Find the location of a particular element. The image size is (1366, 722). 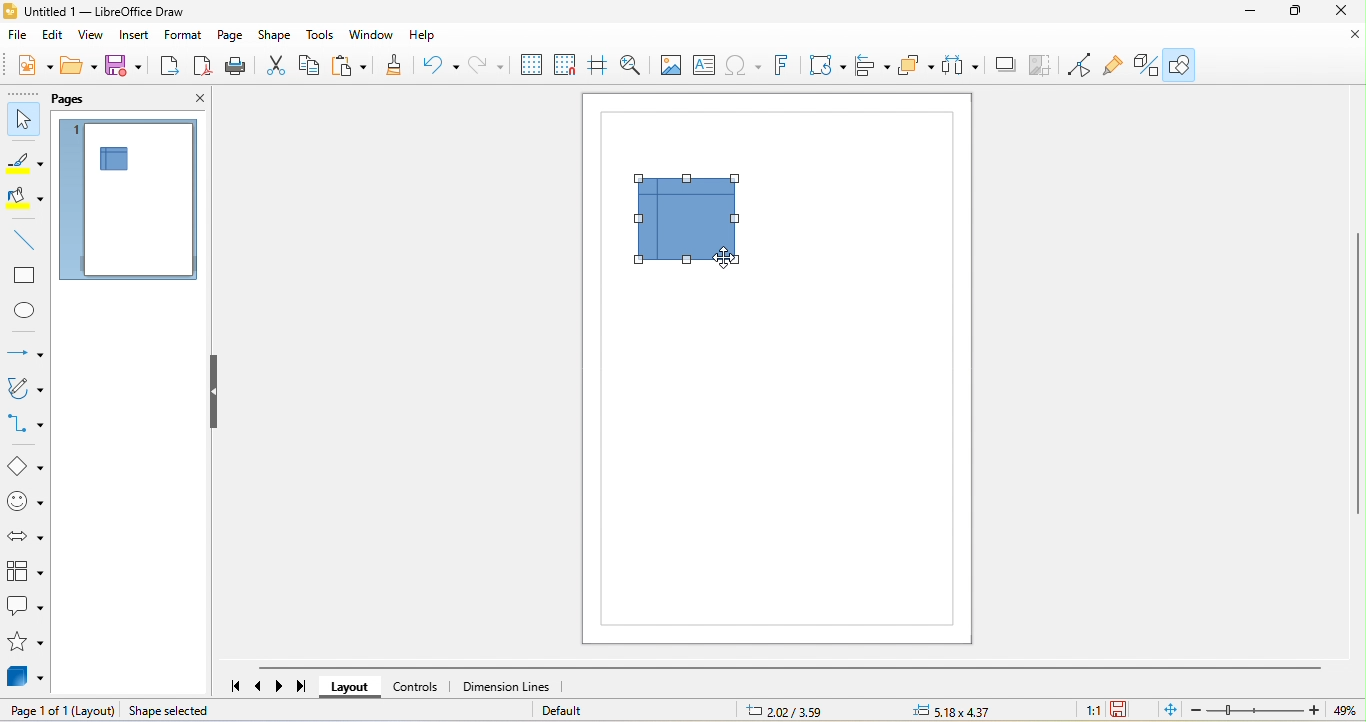

close is located at coordinates (187, 100).